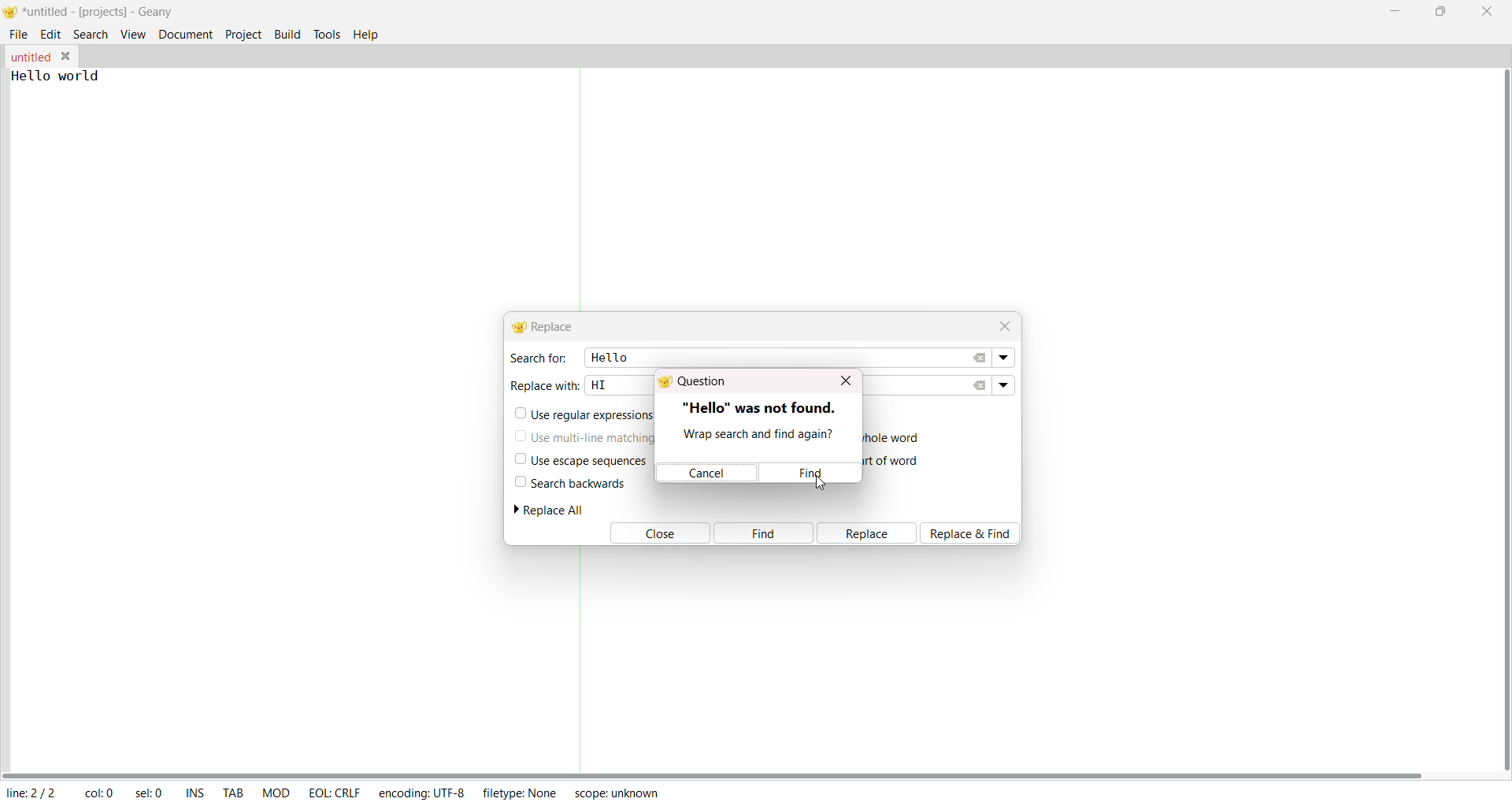  Describe the element at coordinates (1439, 10) in the screenshot. I see `maximize` at that location.